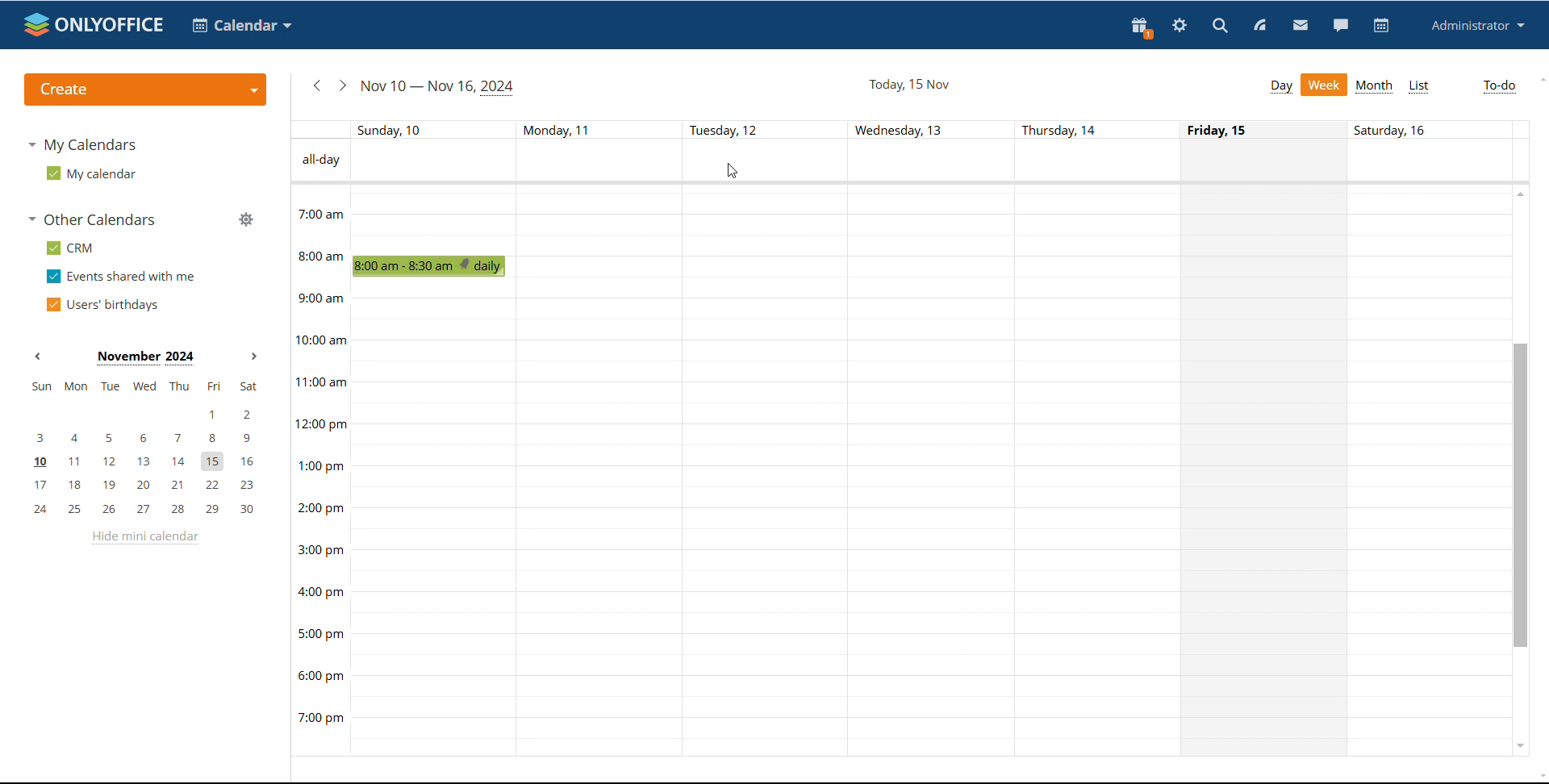 This screenshot has height=784, width=1549. Describe the element at coordinates (399, 129) in the screenshot. I see `individual day` at that location.